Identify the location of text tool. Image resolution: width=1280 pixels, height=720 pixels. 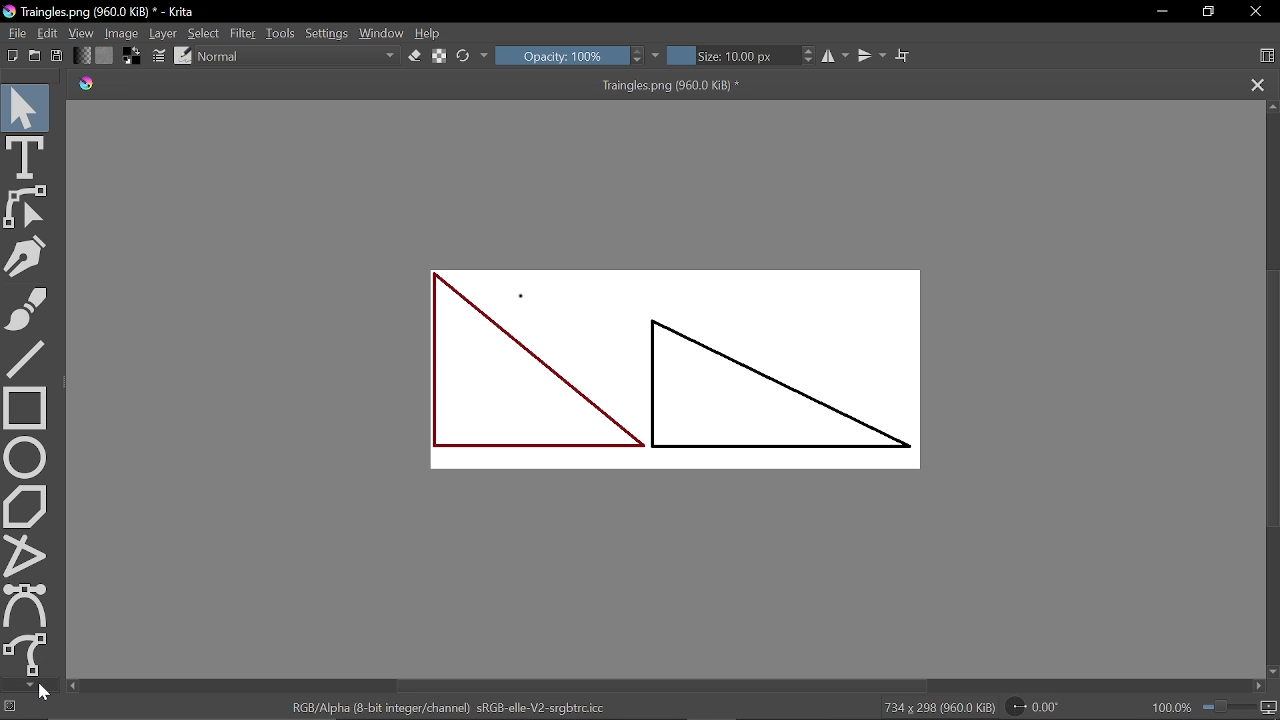
(26, 157).